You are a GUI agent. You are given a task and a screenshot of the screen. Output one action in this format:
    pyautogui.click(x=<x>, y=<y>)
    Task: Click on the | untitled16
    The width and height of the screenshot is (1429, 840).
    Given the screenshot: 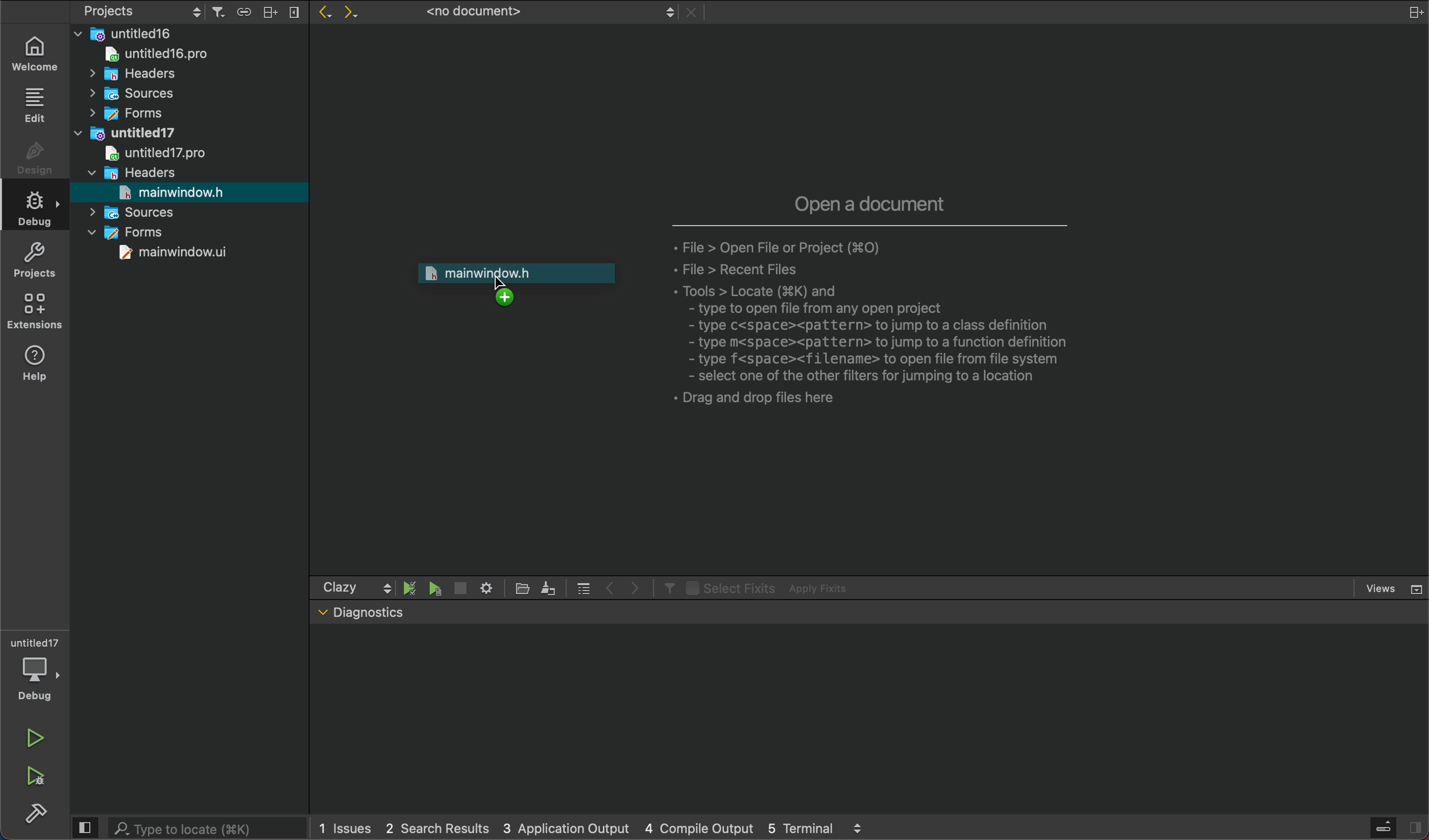 What is the action you would take?
    pyautogui.click(x=129, y=33)
    